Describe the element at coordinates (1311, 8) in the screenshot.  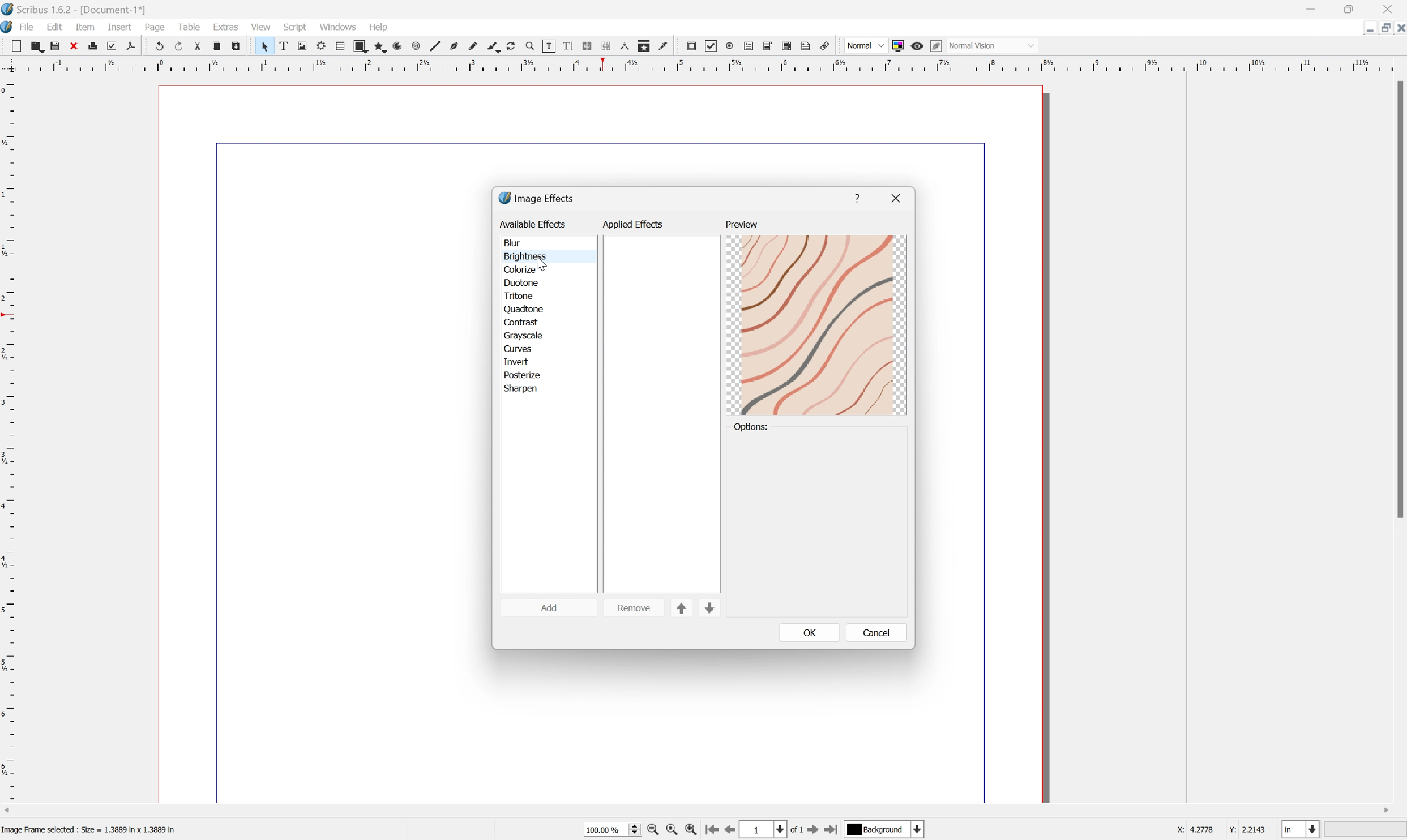
I see `Minimize` at that location.